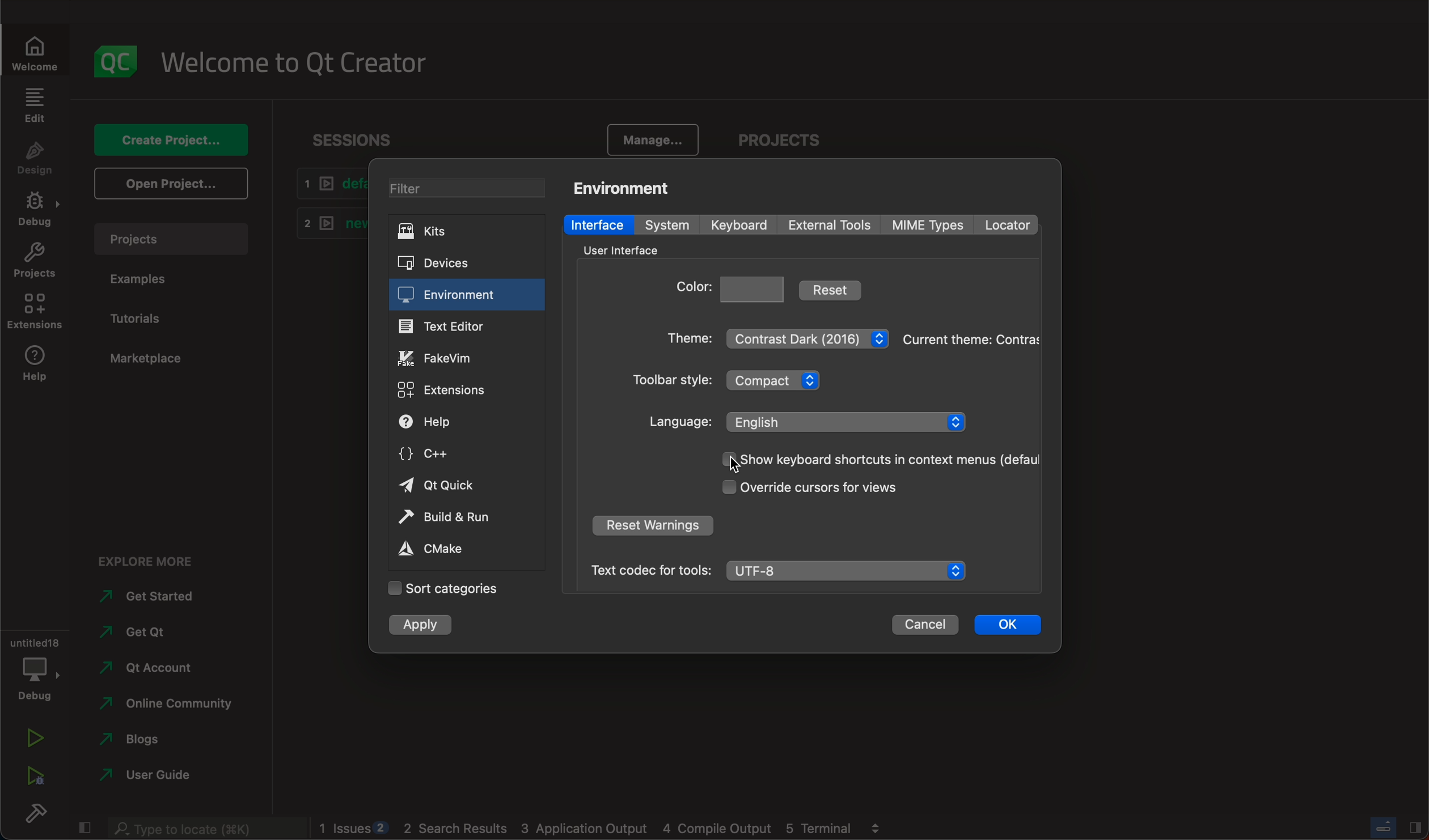  I want to click on keyboard, so click(740, 226).